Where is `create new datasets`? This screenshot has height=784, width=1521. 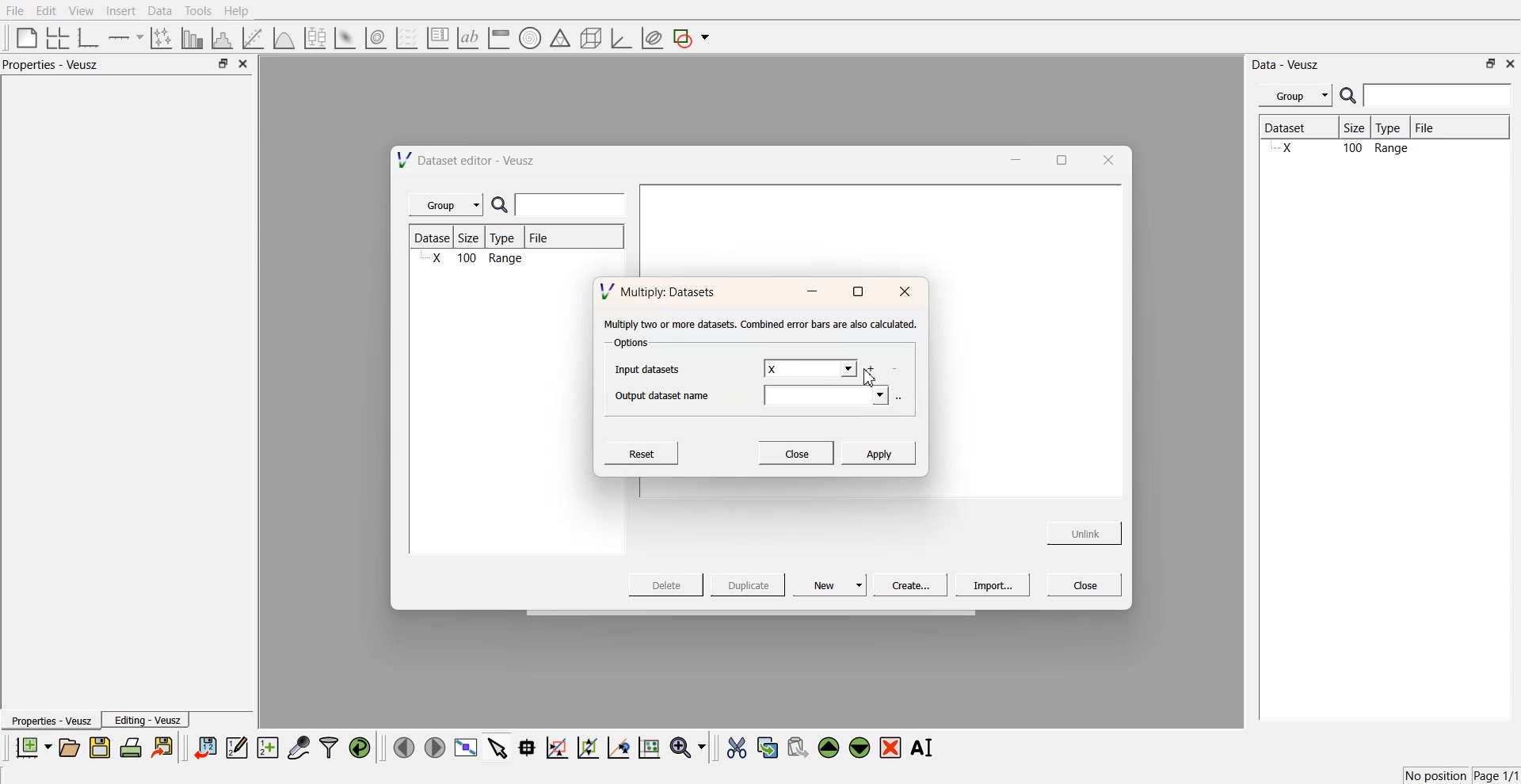 create new datasets is located at coordinates (268, 748).